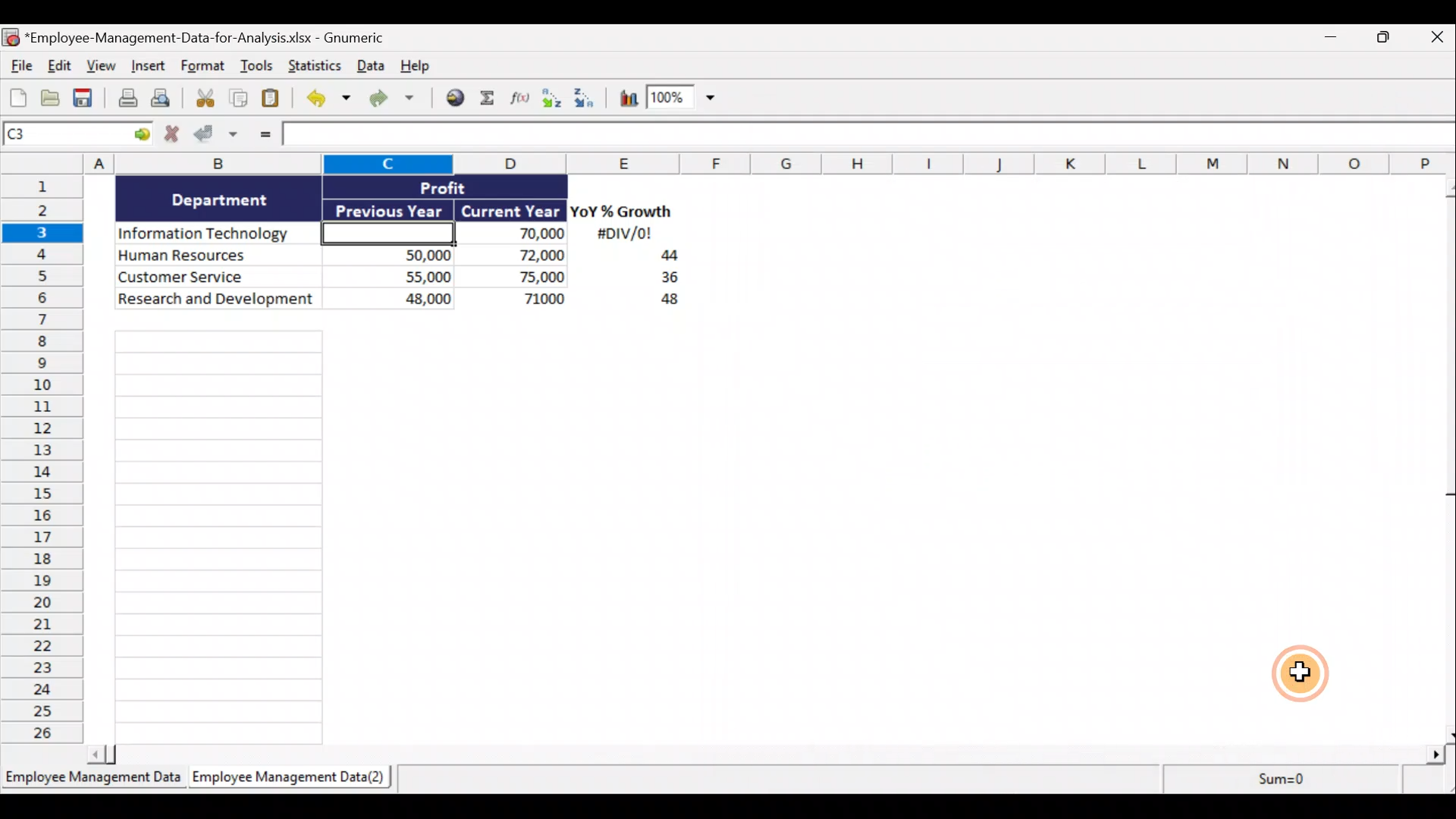 This screenshot has height=819, width=1456. I want to click on Paste clipboard, so click(275, 99).